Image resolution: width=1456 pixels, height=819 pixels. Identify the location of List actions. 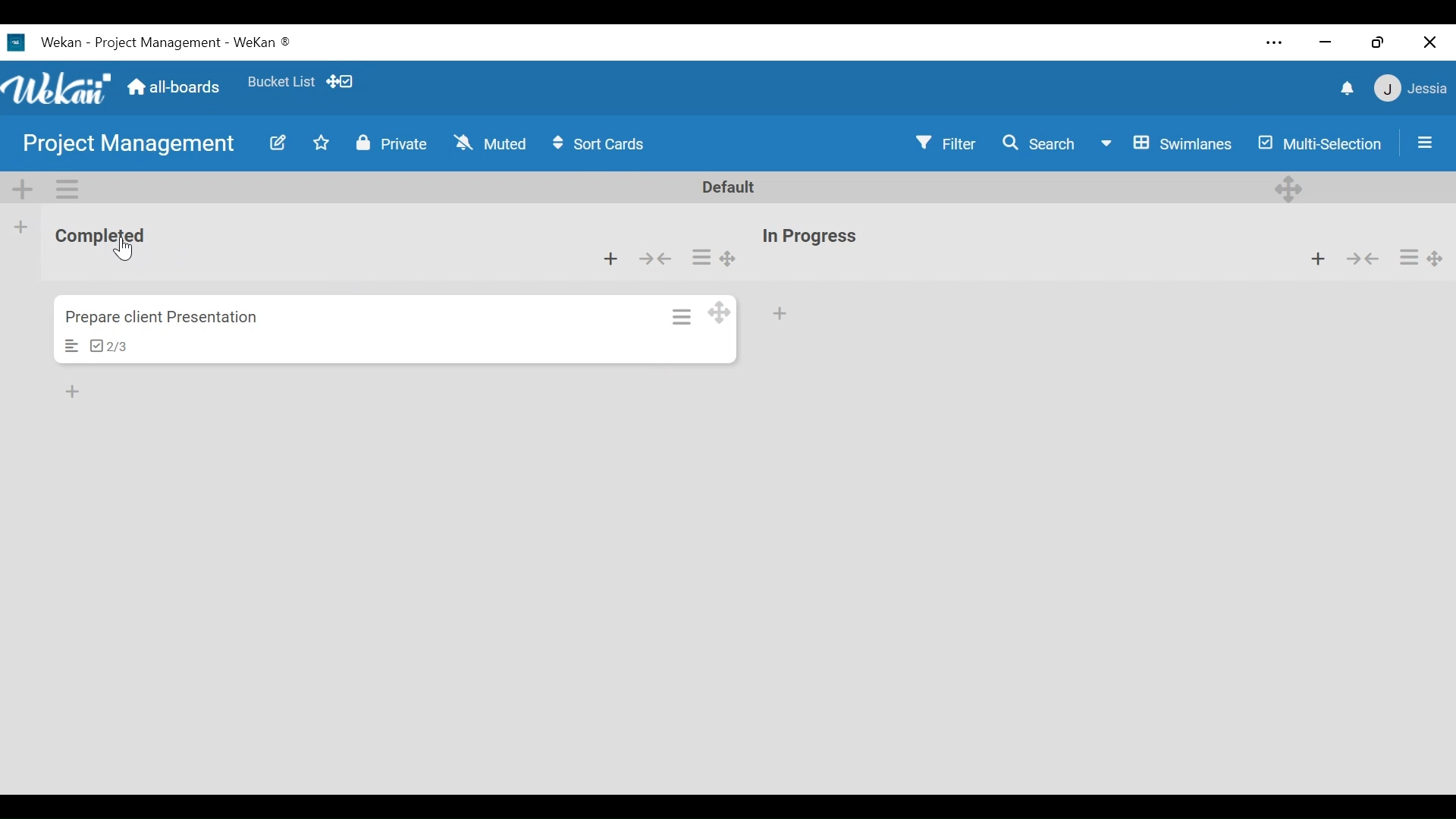
(67, 188).